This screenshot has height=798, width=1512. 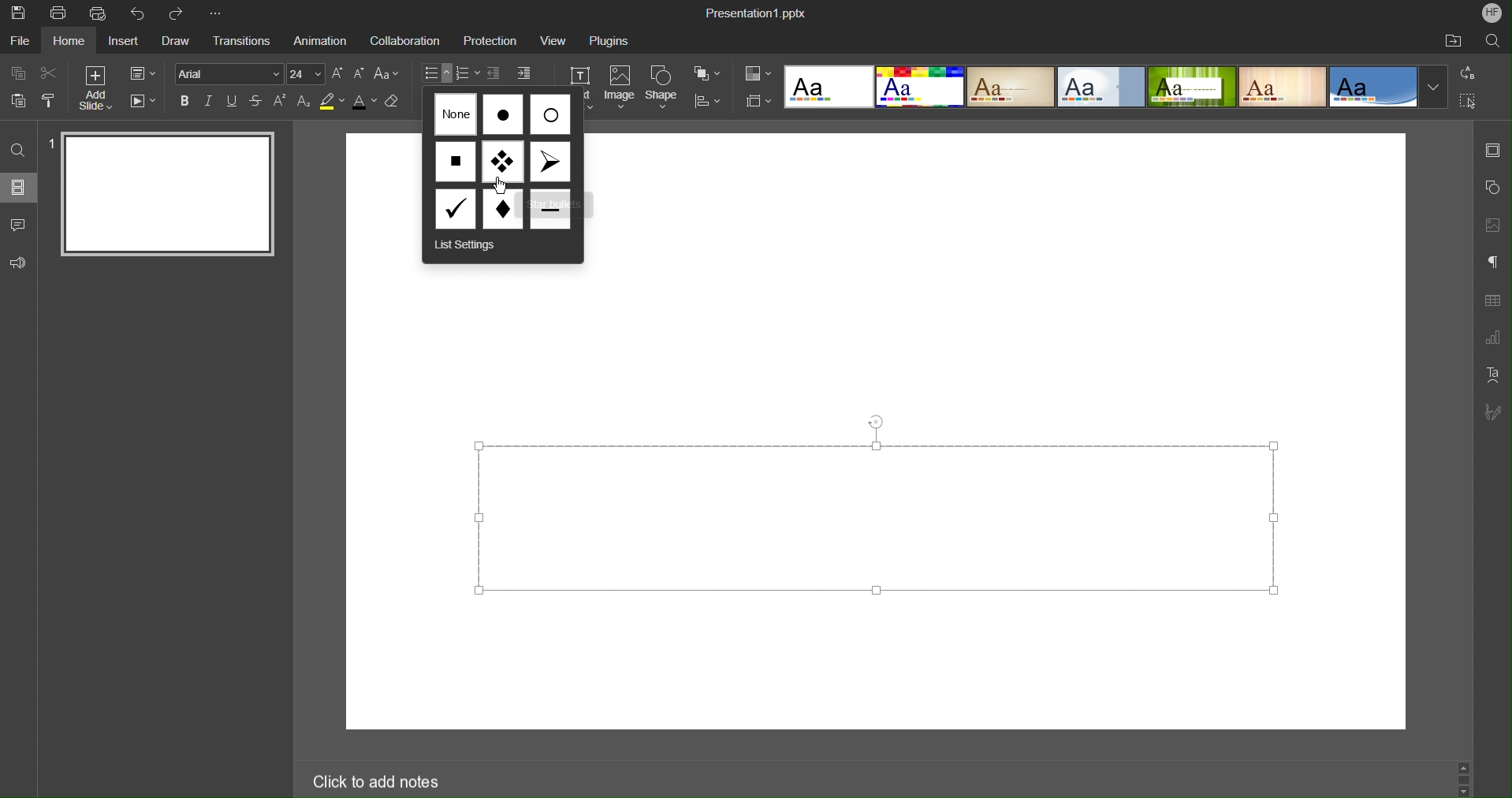 What do you see at coordinates (1492, 412) in the screenshot?
I see `Signature` at bounding box center [1492, 412].